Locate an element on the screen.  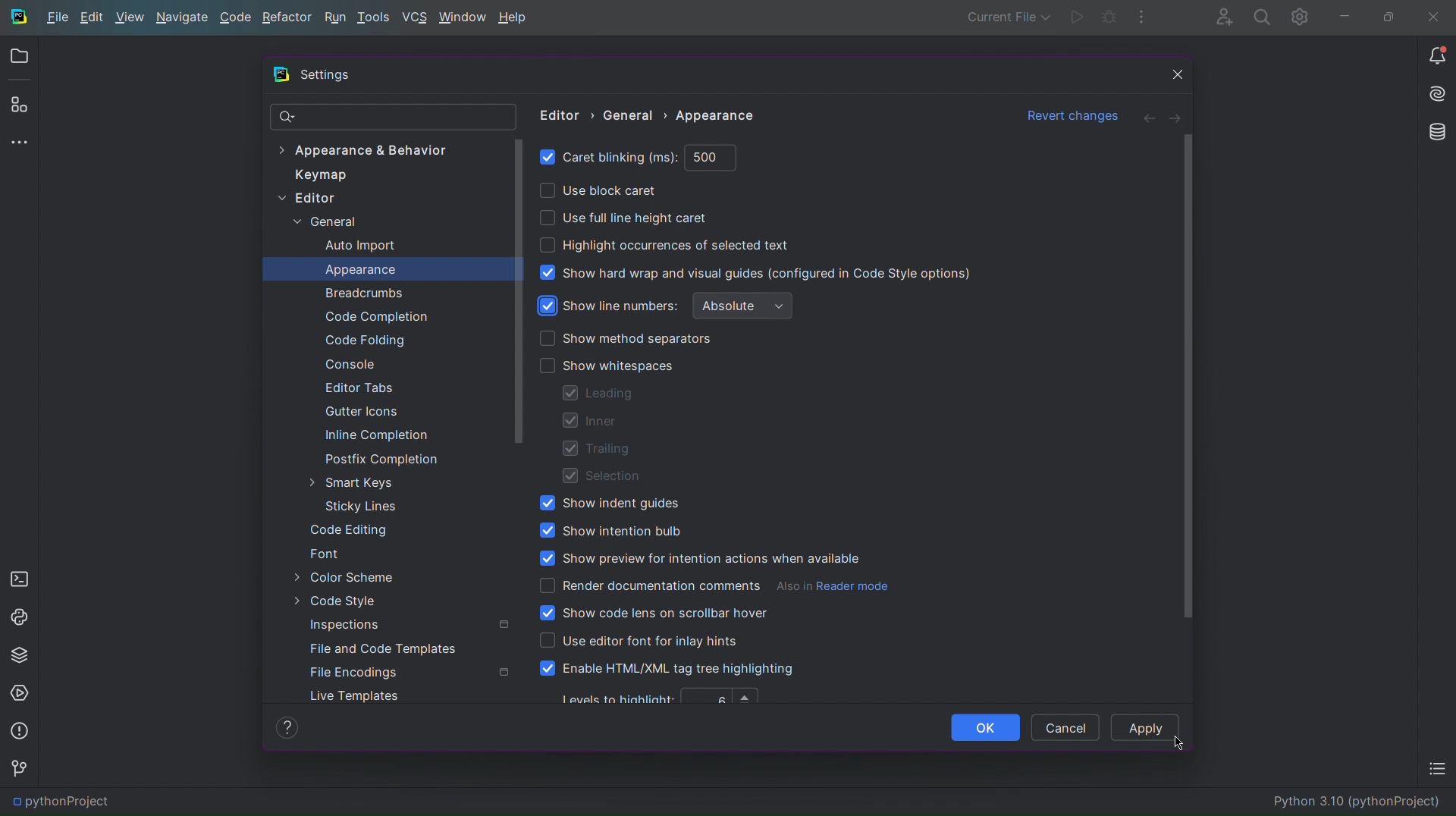
Debug is located at coordinates (1107, 19).